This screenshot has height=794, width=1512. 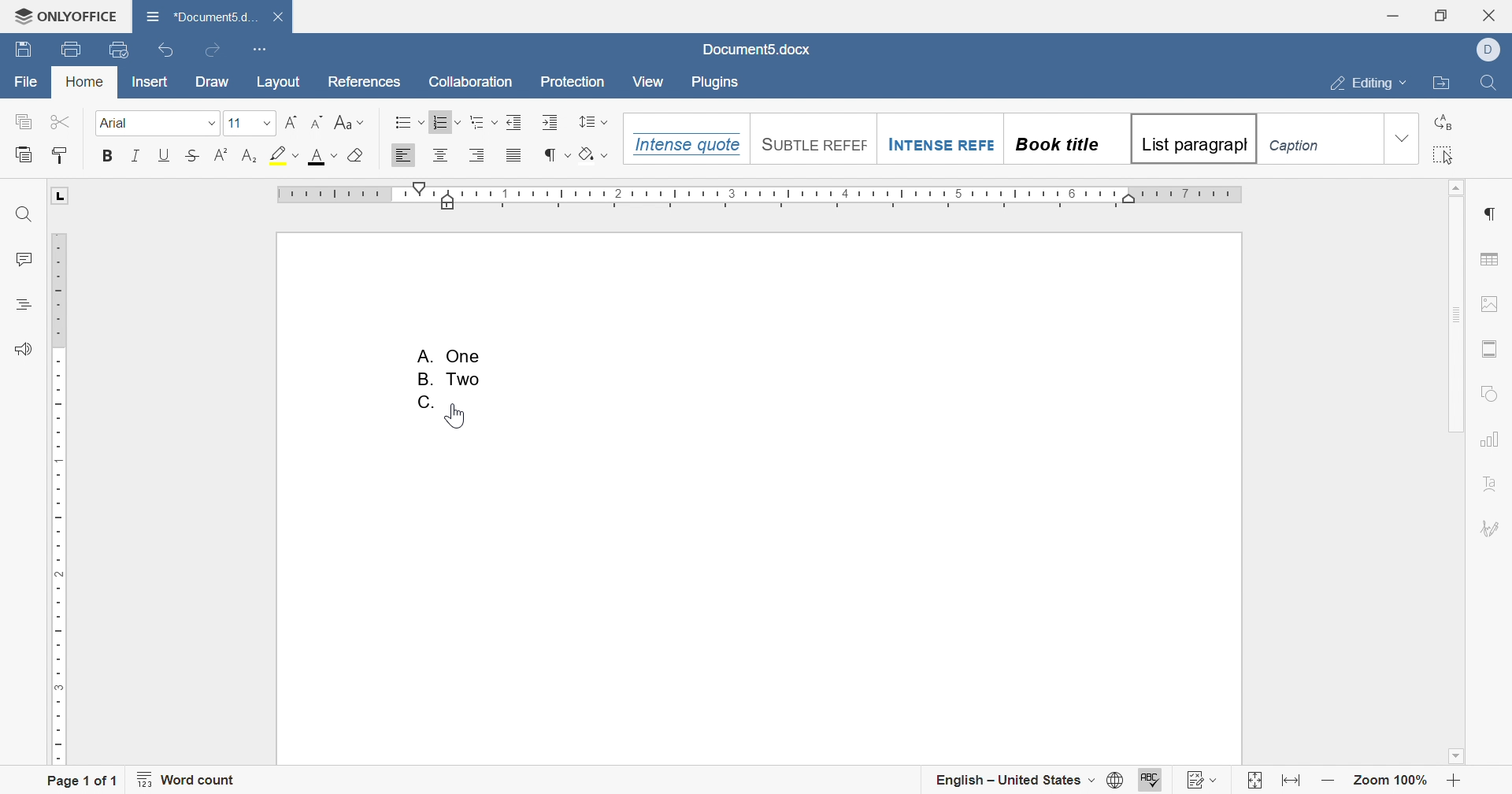 I want to click on fit to slide, so click(x=1254, y=781).